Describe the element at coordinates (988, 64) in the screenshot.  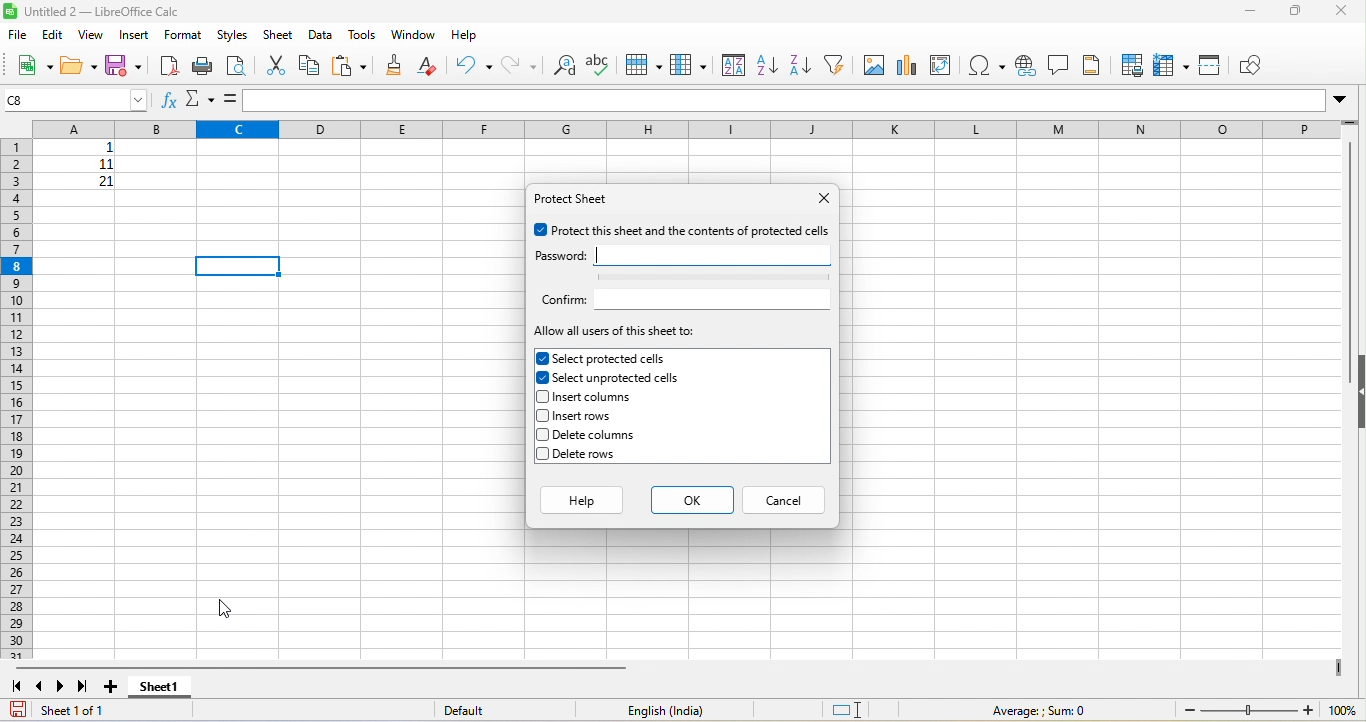
I see `special characters` at that location.